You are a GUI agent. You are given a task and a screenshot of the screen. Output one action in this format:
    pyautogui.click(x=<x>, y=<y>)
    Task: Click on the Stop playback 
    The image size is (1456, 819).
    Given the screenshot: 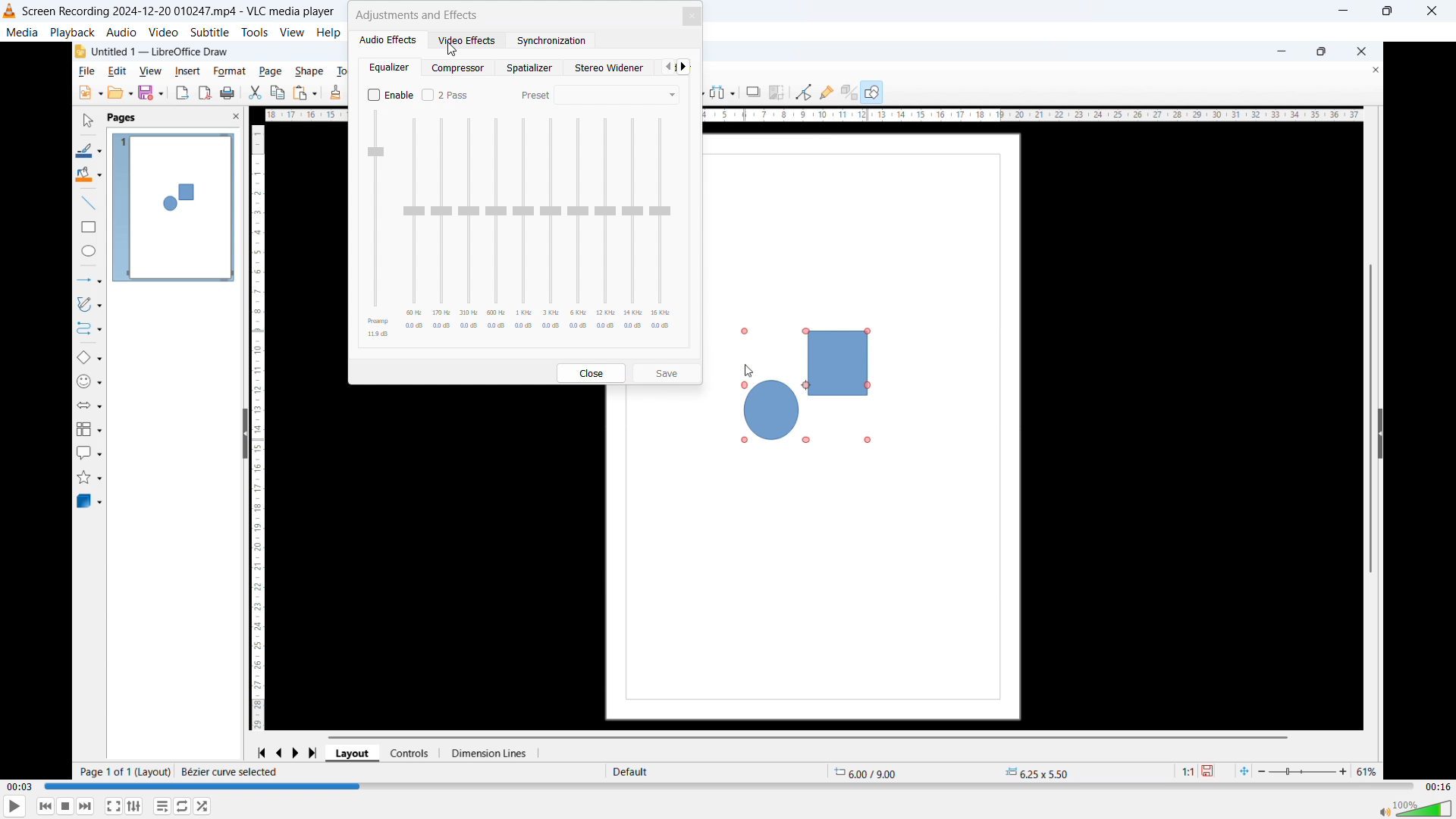 What is the action you would take?
    pyautogui.click(x=66, y=806)
    